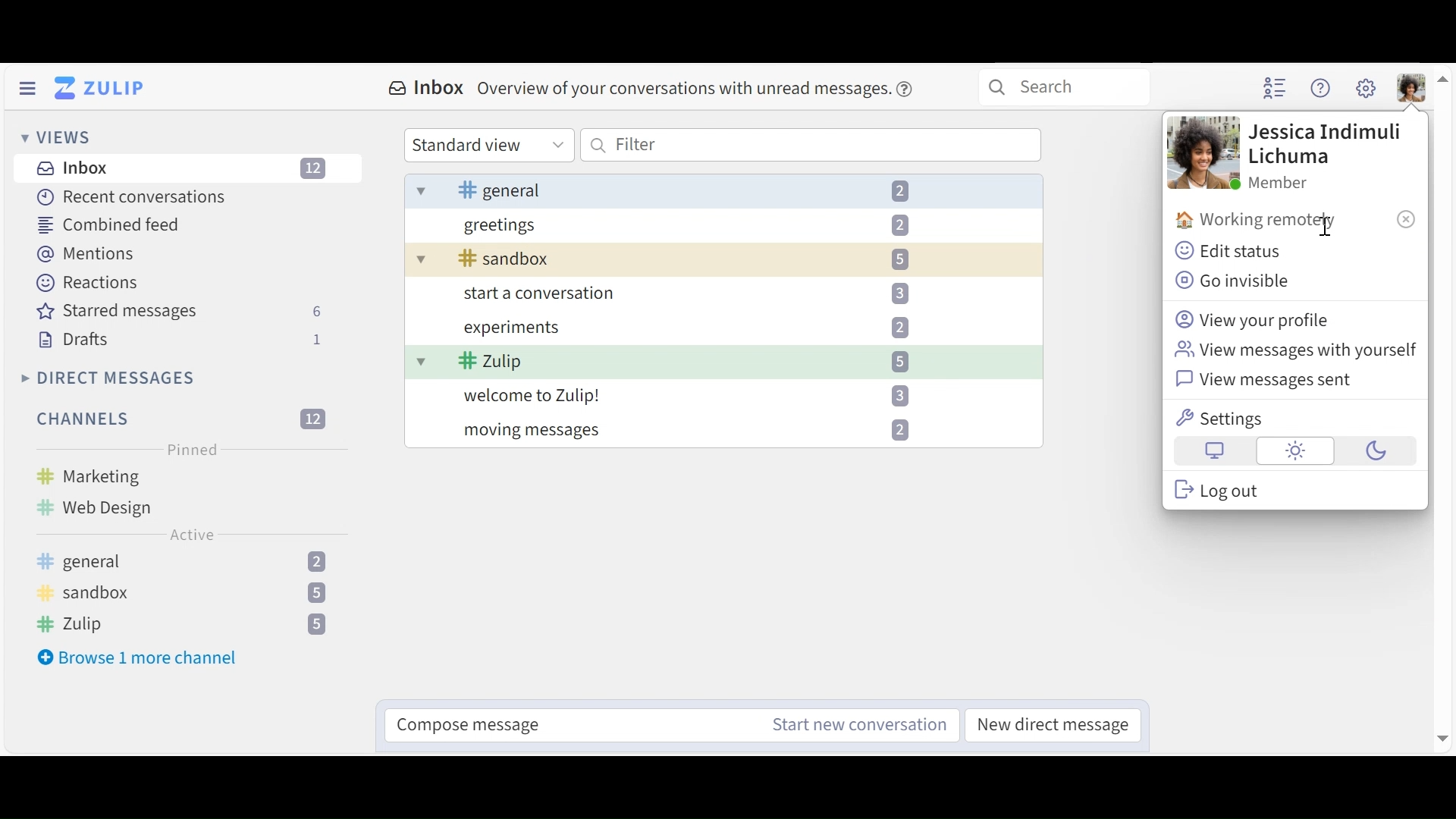 The image size is (1456, 819). Describe the element at coordinates (53, 137) in the screenshot. I see `Views` at that location.